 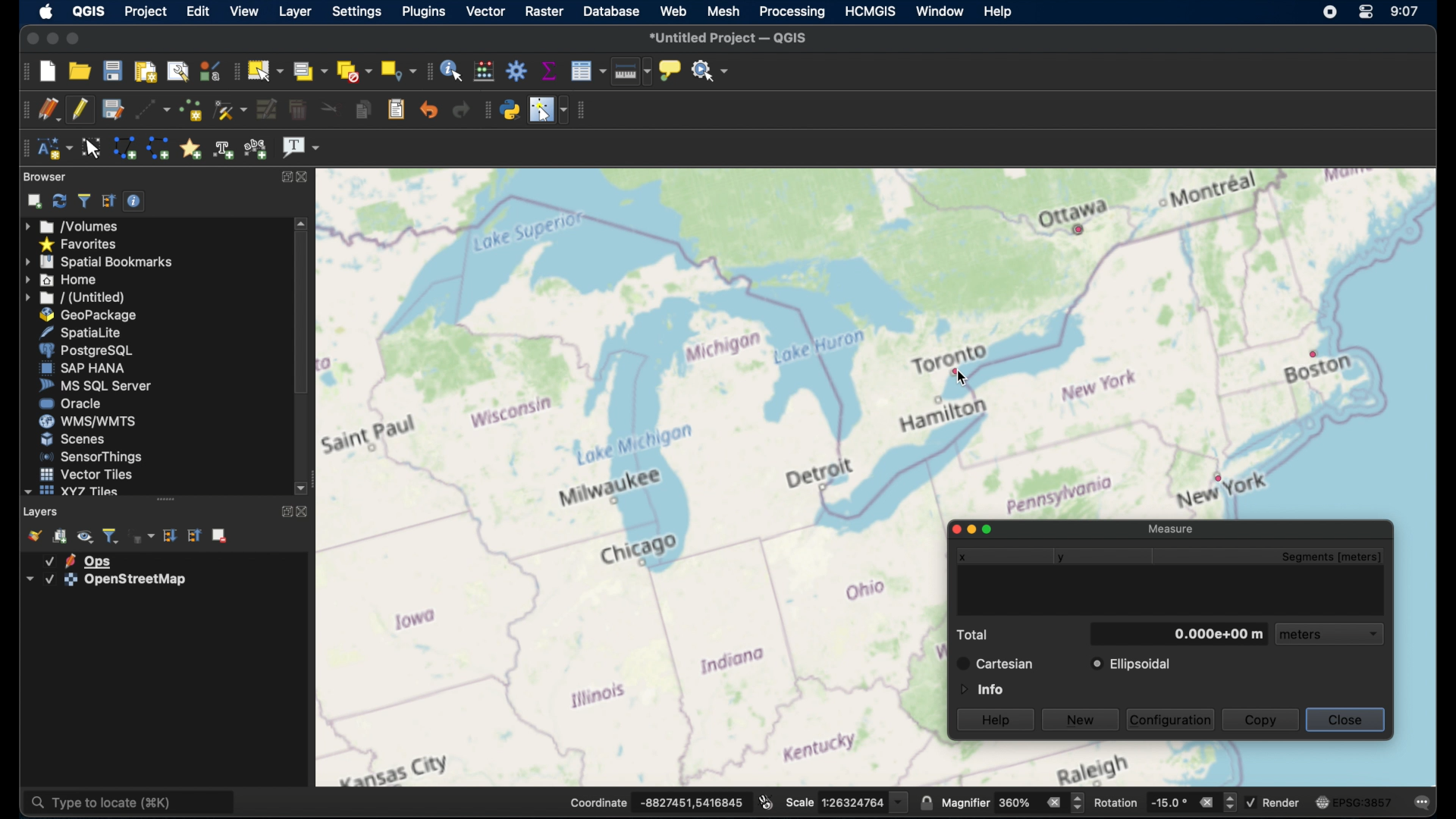 I want to click on qgis, so click(x=89, y=11).